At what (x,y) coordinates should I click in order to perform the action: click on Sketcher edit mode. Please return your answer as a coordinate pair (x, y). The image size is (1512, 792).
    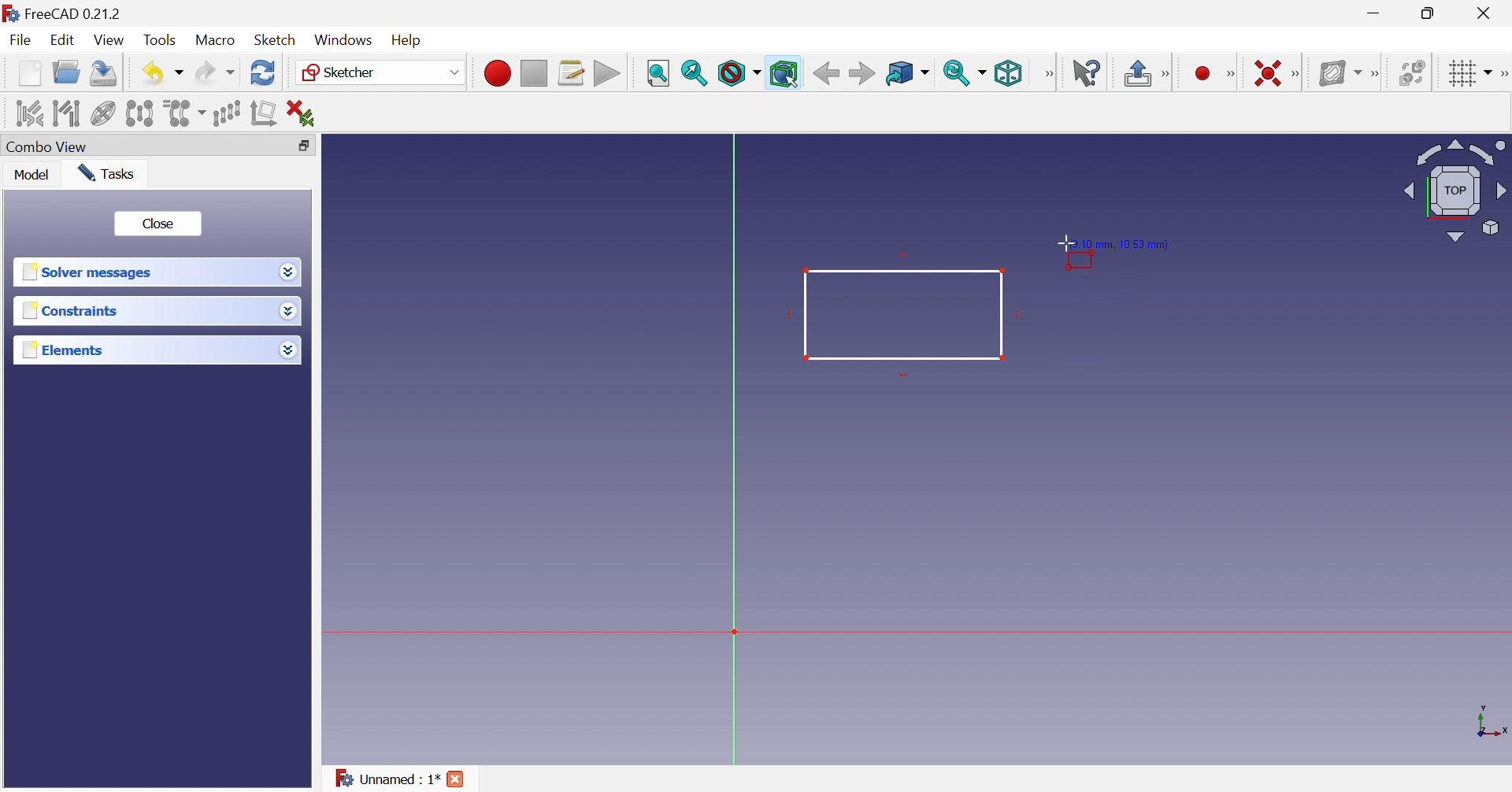
    Looking at the image, I should click on (1167, 73).